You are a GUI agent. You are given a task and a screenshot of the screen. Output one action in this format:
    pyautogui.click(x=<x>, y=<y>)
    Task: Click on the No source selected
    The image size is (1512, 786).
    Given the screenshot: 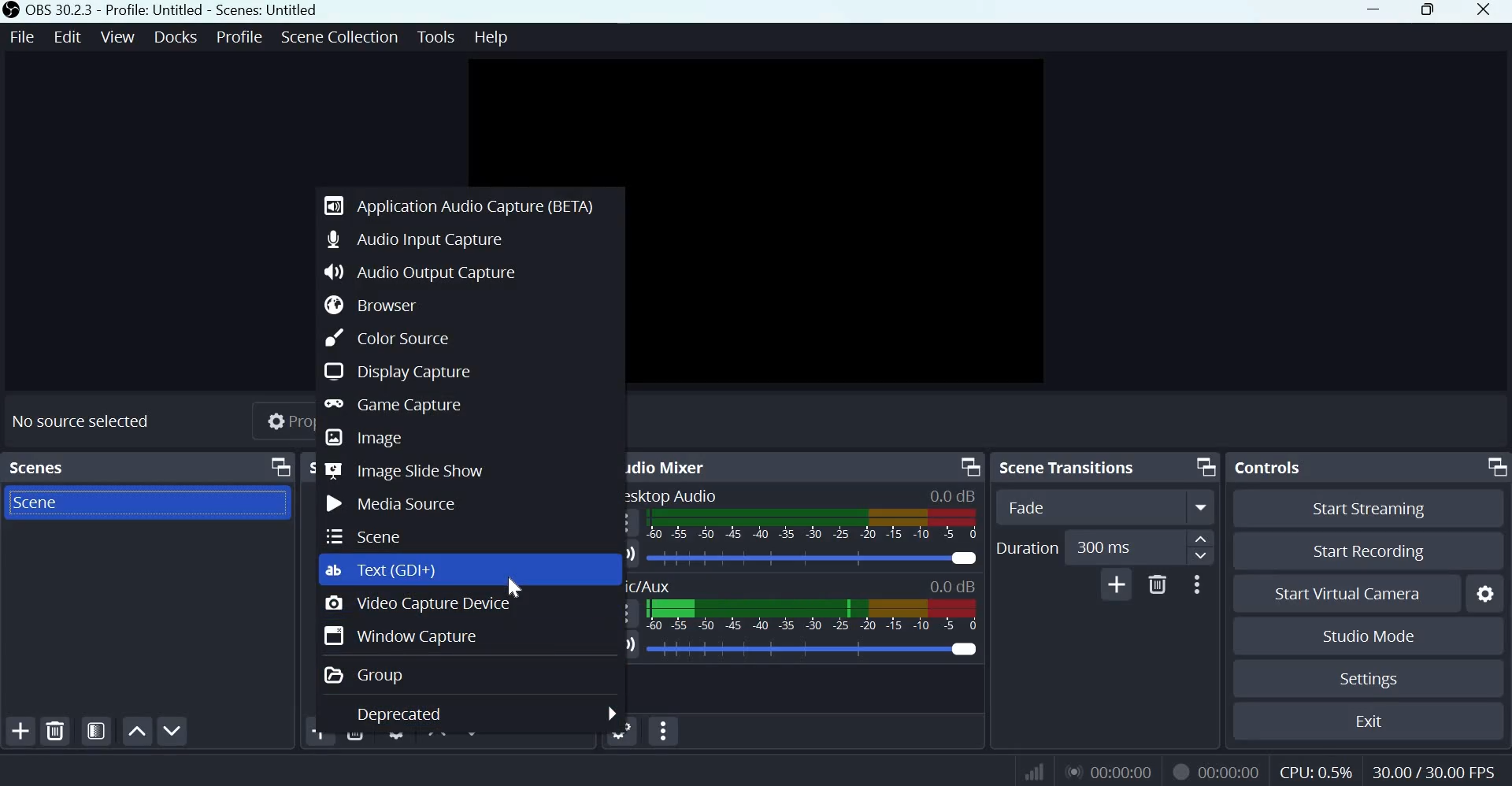 What is the action you would take?
    pyautogui.click(x=83, y=421)
    